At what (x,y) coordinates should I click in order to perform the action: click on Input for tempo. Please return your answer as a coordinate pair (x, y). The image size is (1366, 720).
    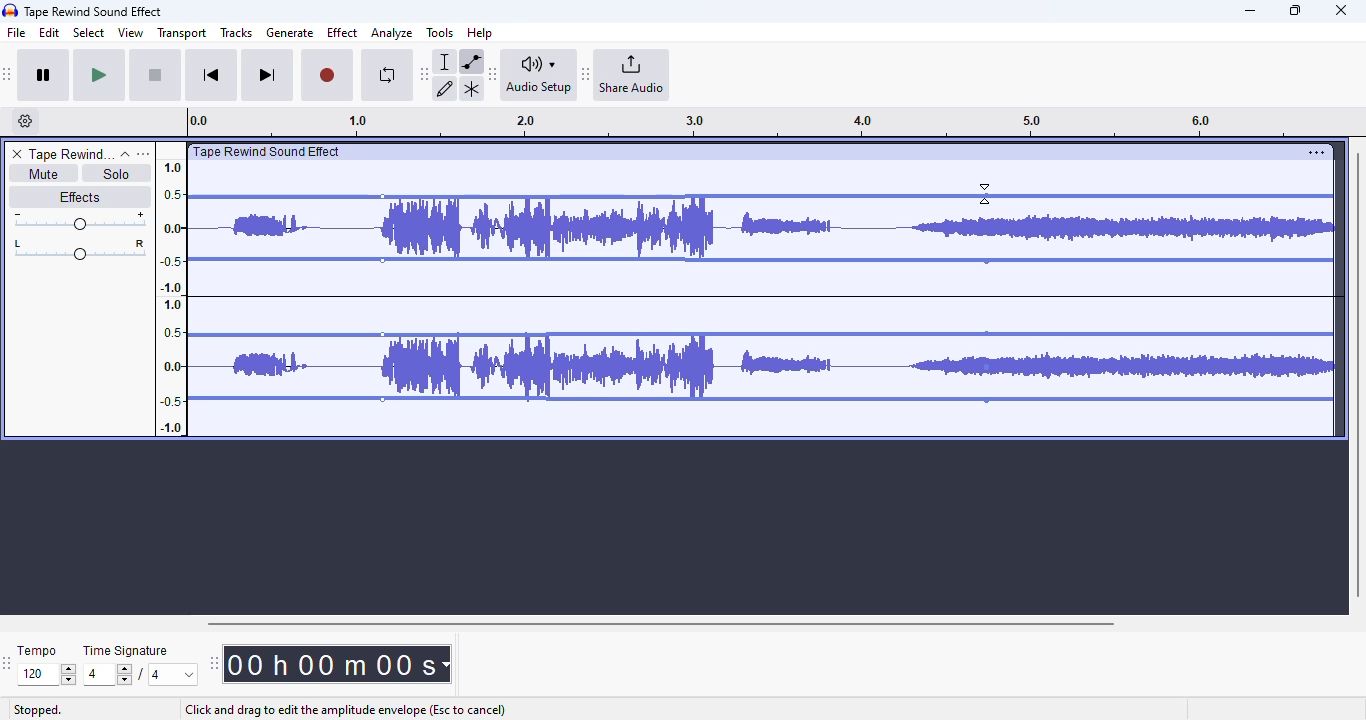
    Looking at the image, I should click on (46, 675).